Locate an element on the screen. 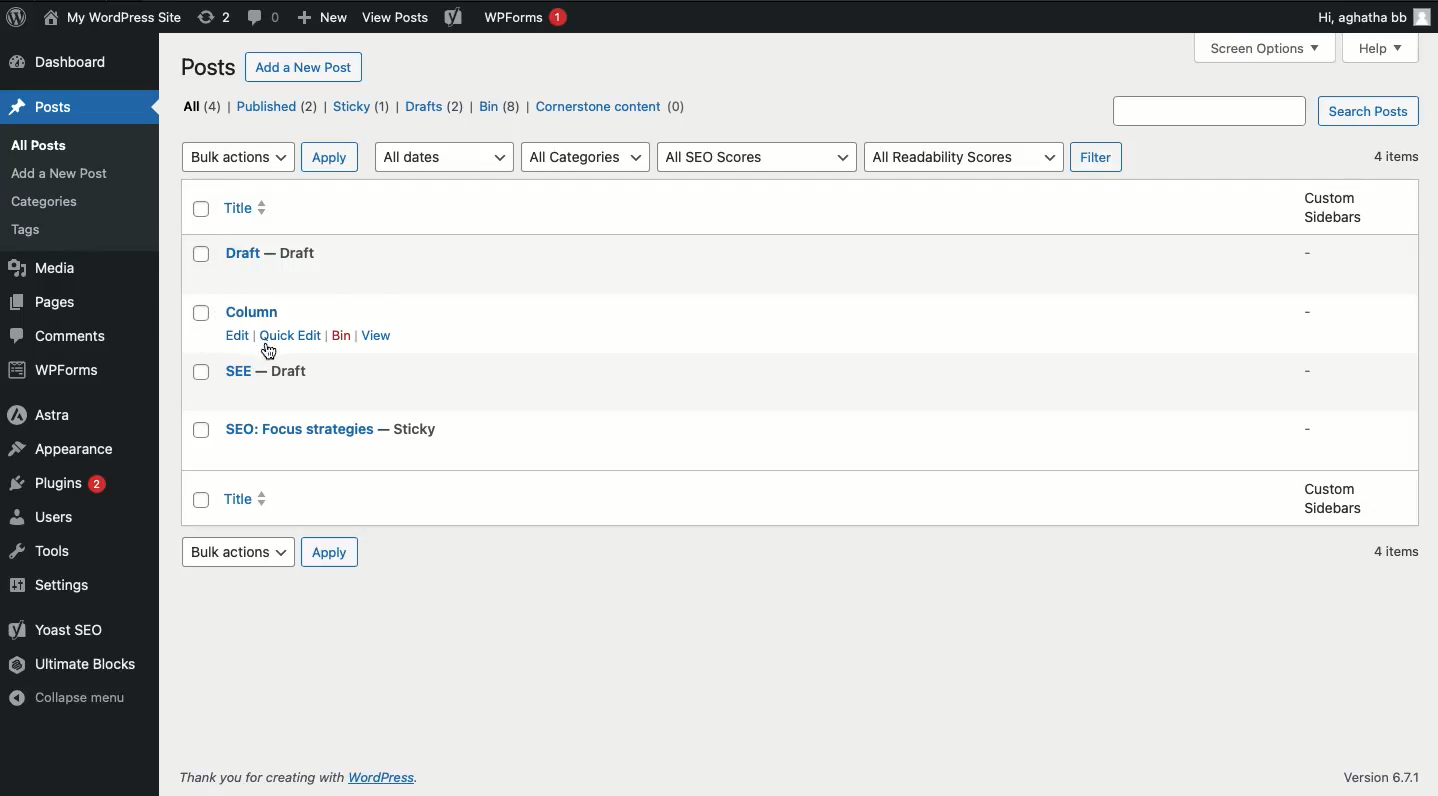  Plugins is located at coordinates (59, 488).